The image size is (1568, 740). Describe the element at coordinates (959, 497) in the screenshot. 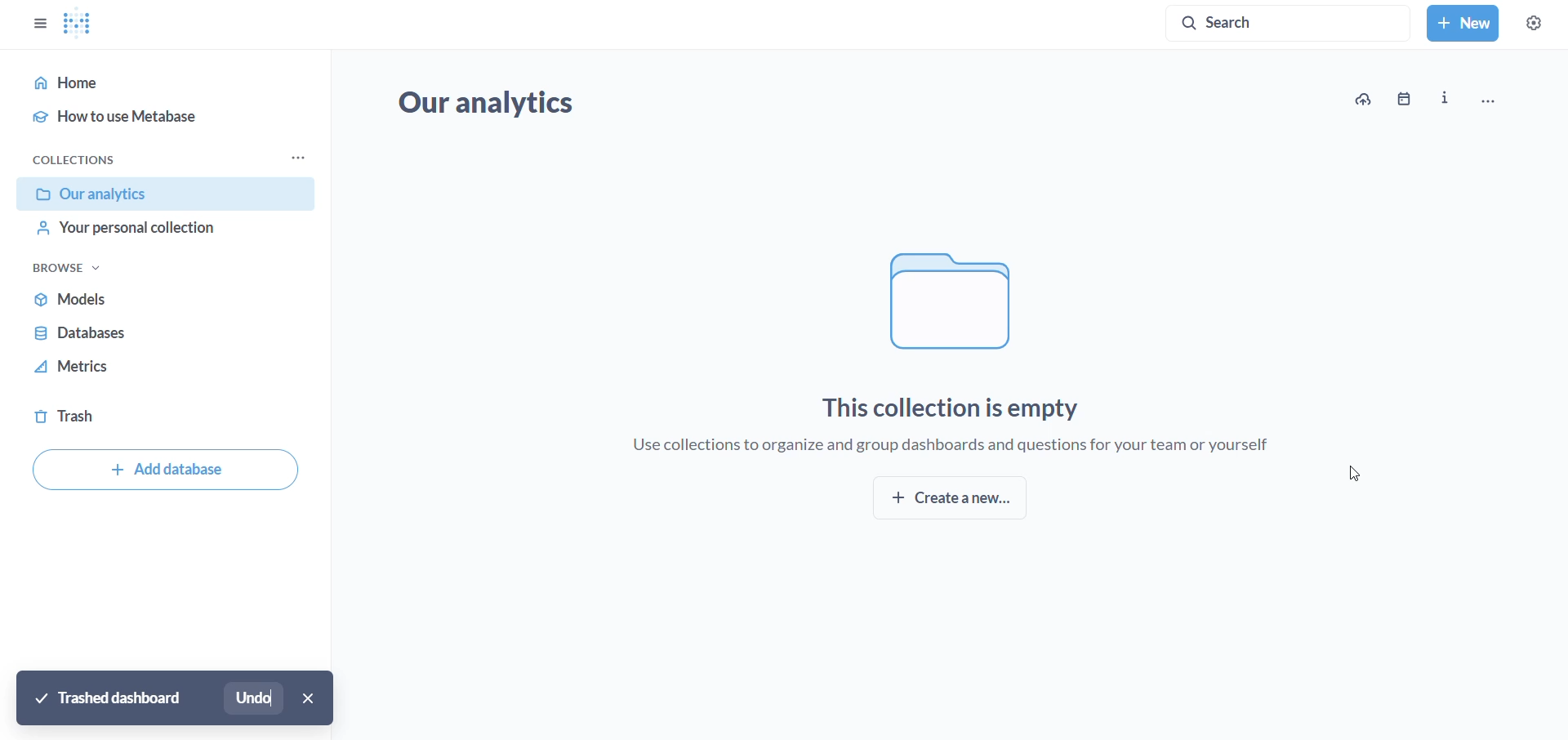

I see `create new collection` at that location.